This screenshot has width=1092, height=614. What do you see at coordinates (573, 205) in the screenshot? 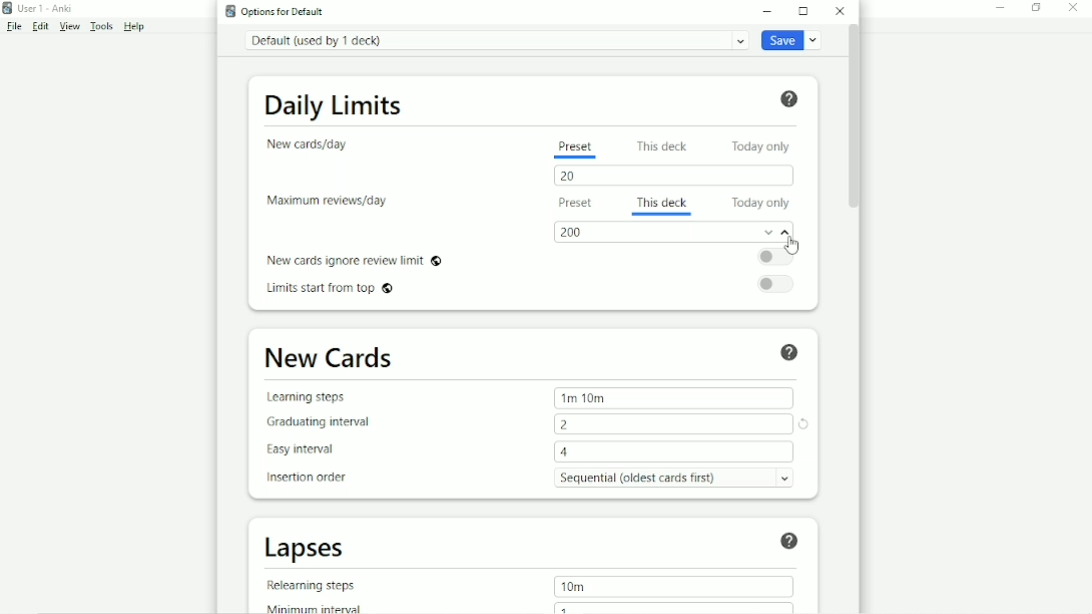
I see `Preset` at bounding box center [573, 205].